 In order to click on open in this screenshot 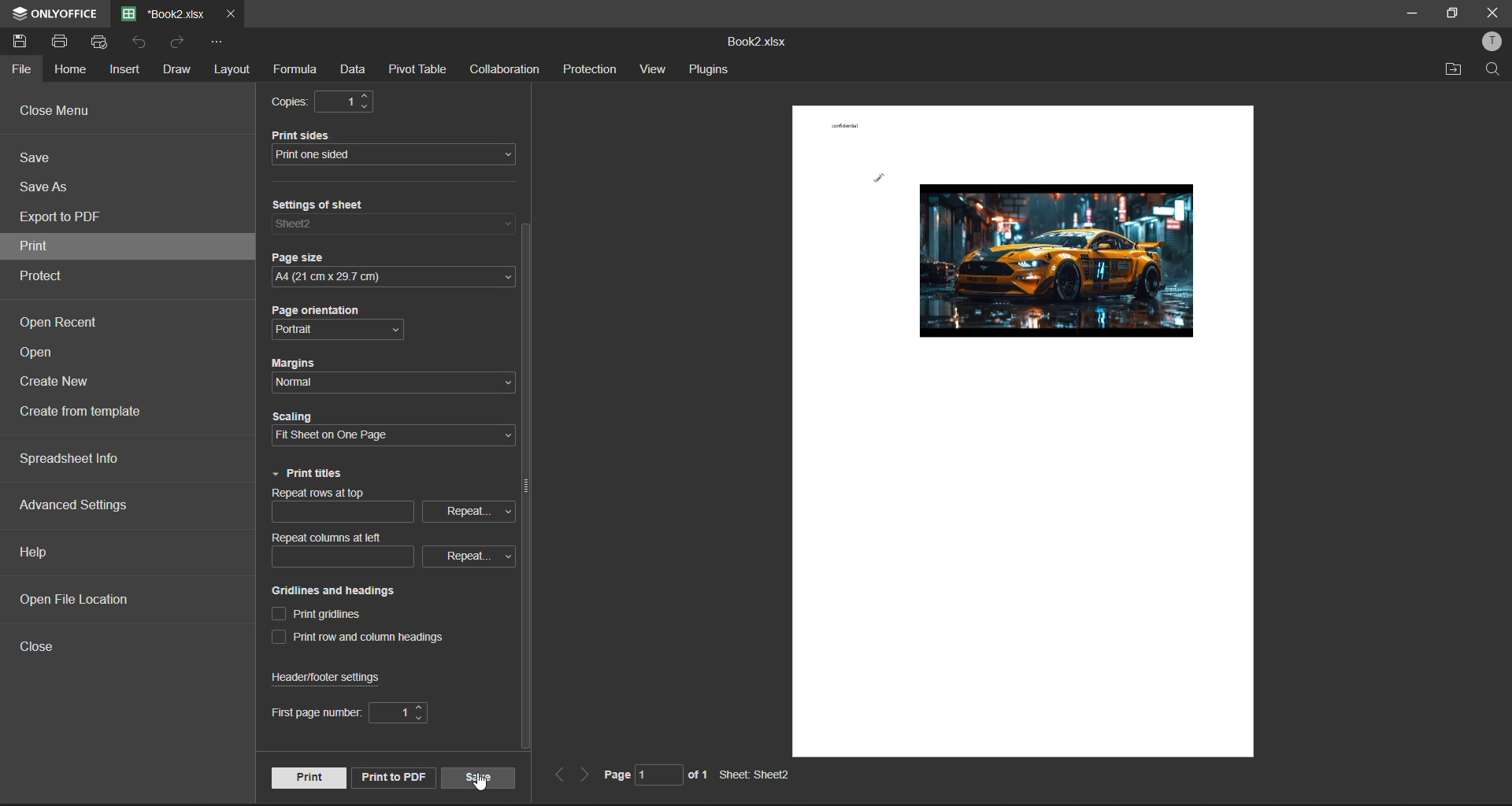, I will do `click(46, 354)`.